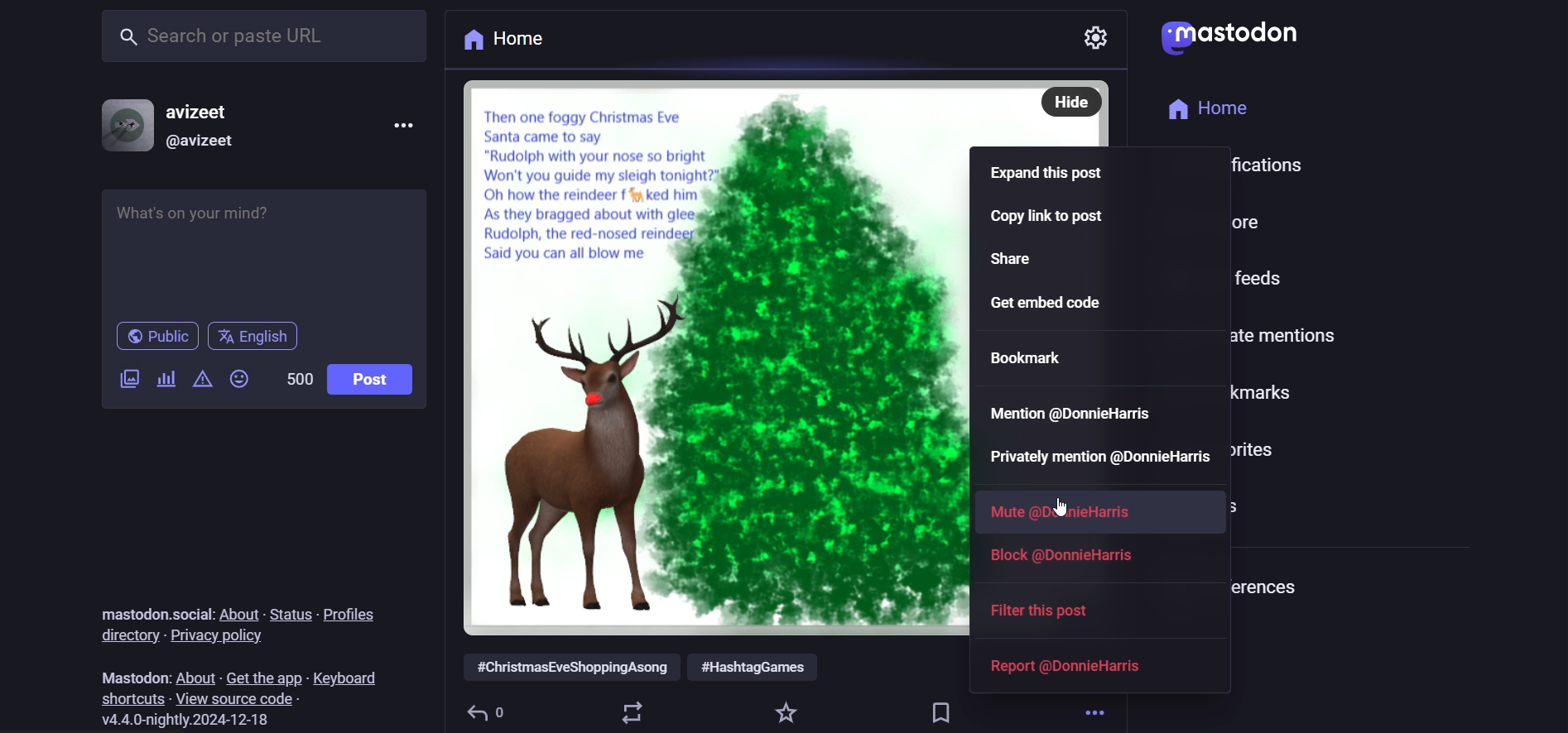 This screenshot has height=733, width=1568. Describe the element at coordinates (1060, 301) in the screenshot. I see `get embed code` at that location.